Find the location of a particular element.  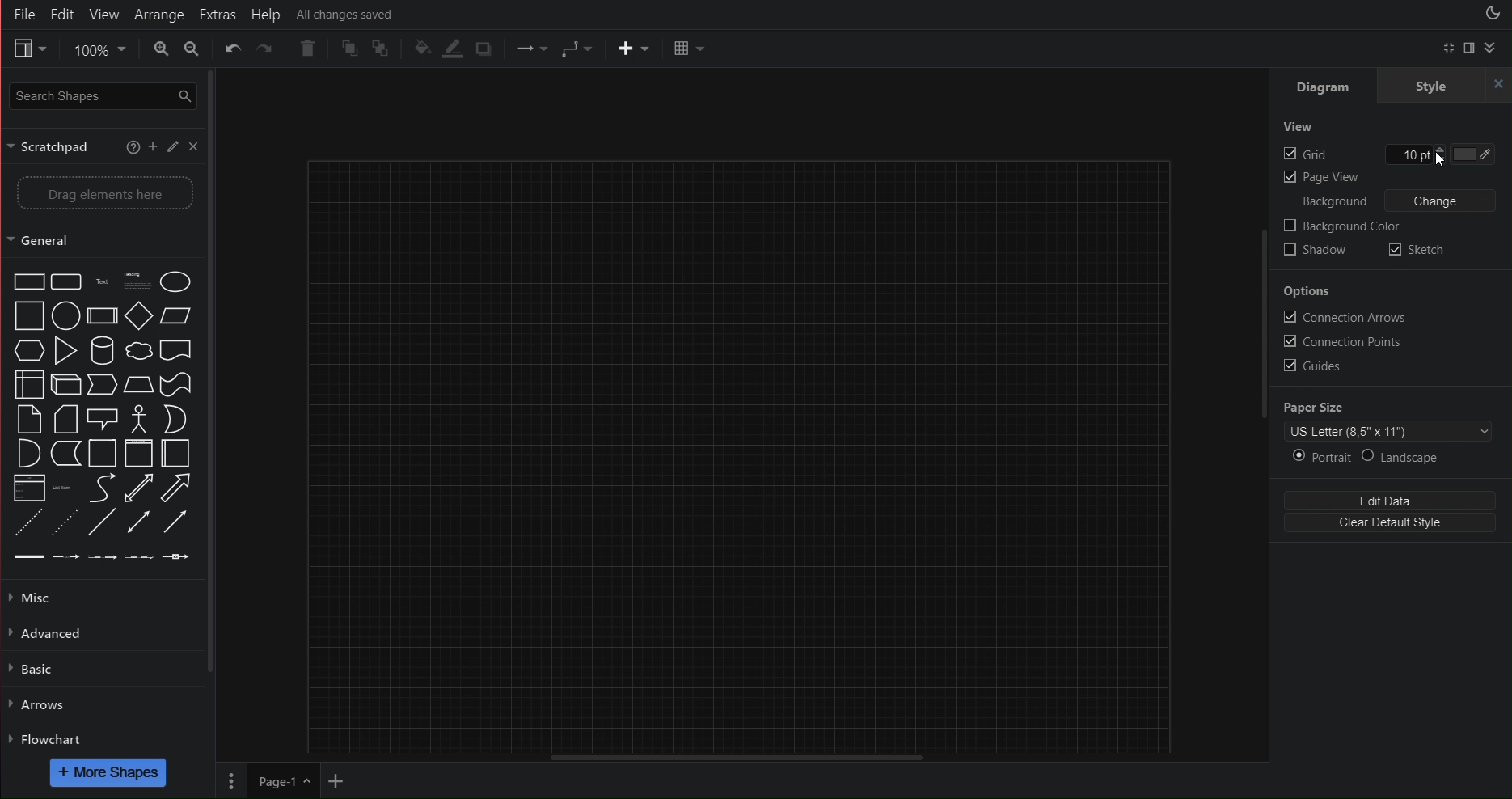

top header is located at coordinates (136, 452).